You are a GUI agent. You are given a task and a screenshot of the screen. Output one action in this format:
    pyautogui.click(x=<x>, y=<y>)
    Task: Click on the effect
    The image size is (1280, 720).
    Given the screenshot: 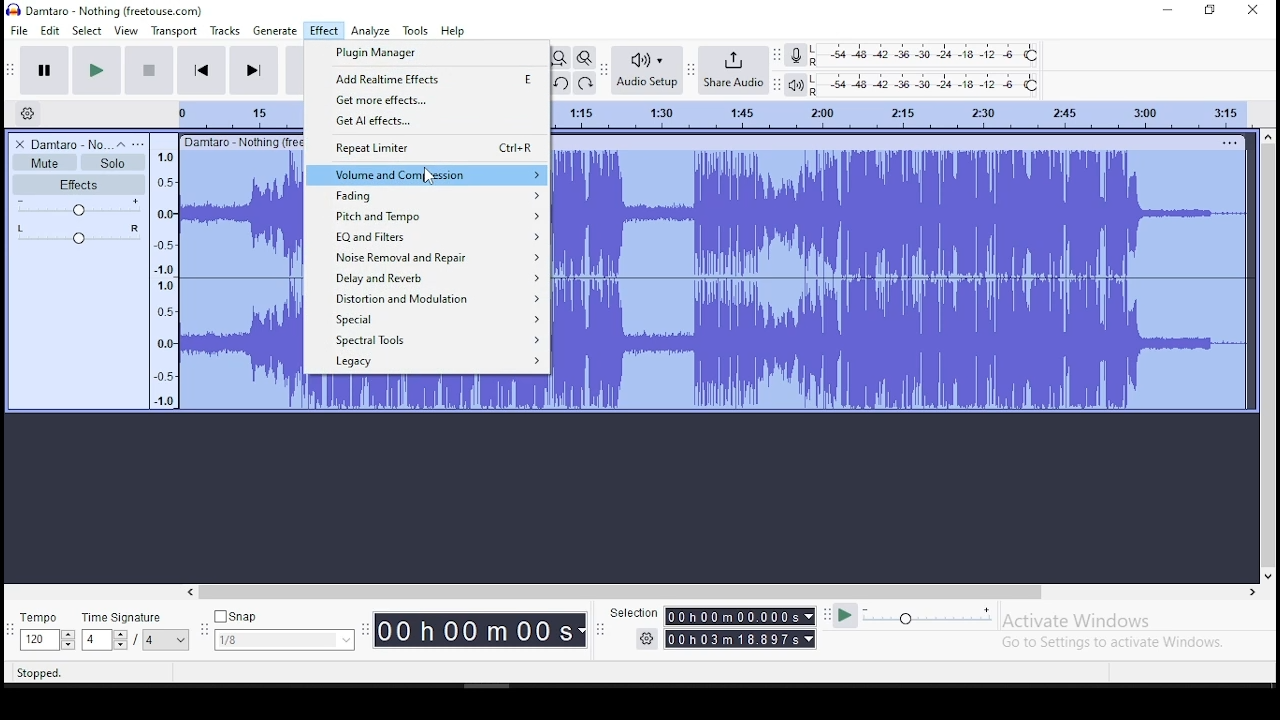 What is the action you would take?
    pyautogui.click(x=324, y=31)
    